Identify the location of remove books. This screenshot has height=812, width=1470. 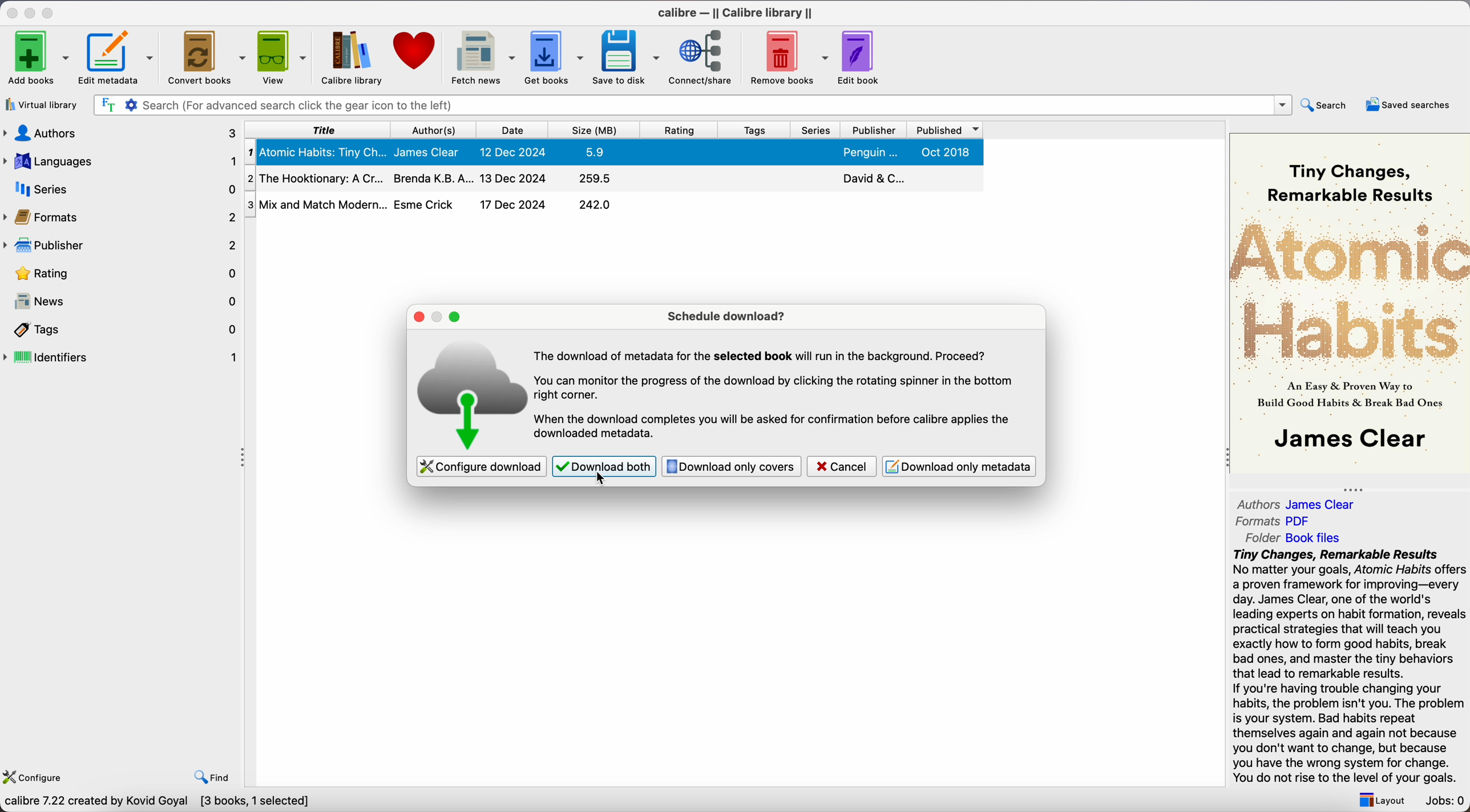
(790, 57).